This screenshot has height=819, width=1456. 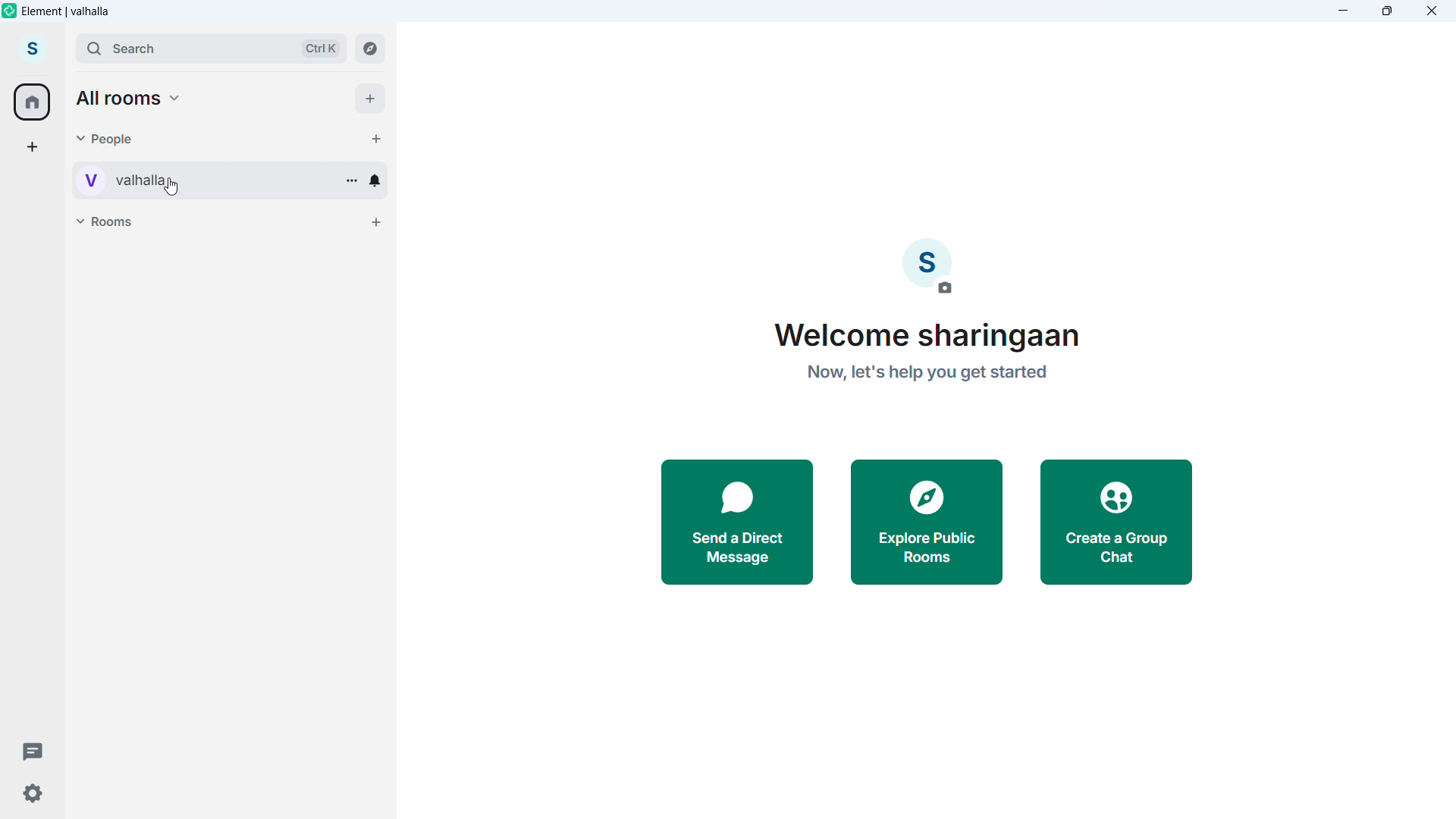 What do you see at coordinates (1118, 522) in the screenshot?
I see `create a group chat` at bounding box center [1118, 522].